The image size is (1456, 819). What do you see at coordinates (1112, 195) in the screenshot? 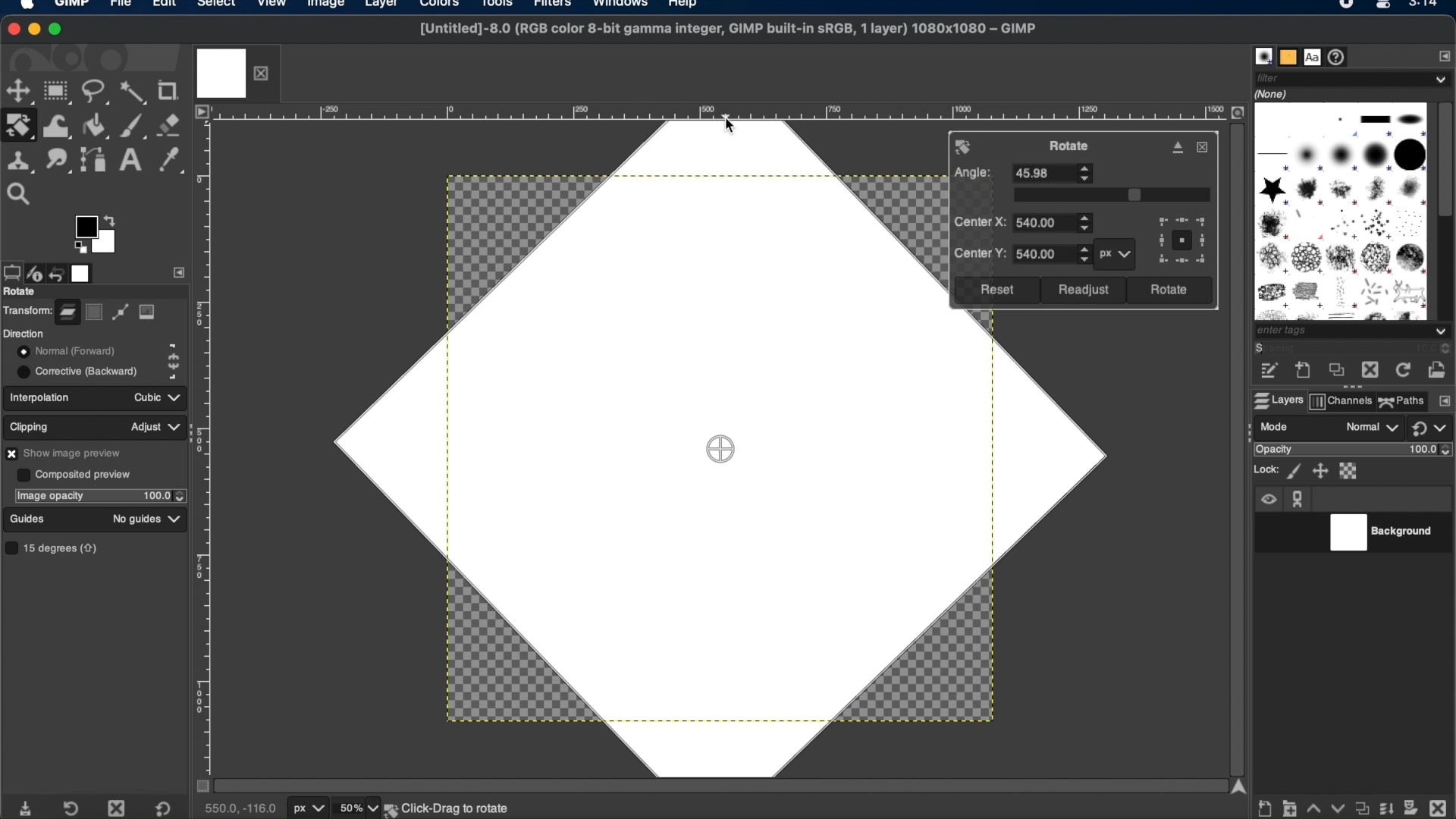
I see `slider` at bounding box center [1112, 195].